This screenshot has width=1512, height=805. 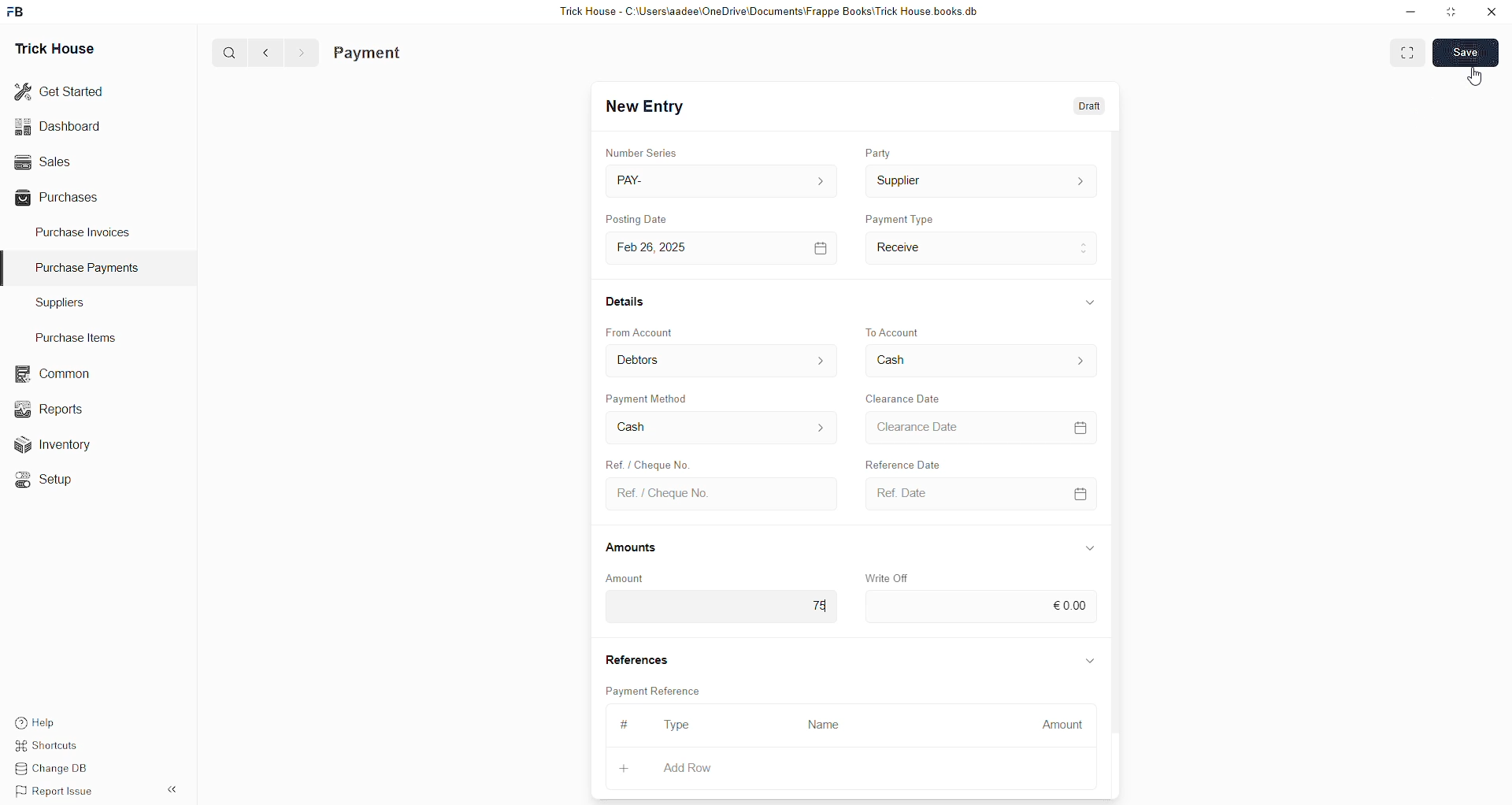 What do you see at coordinates (45, 161) in the screenshot?
I see `Sales` at bounding box center [45, 161].